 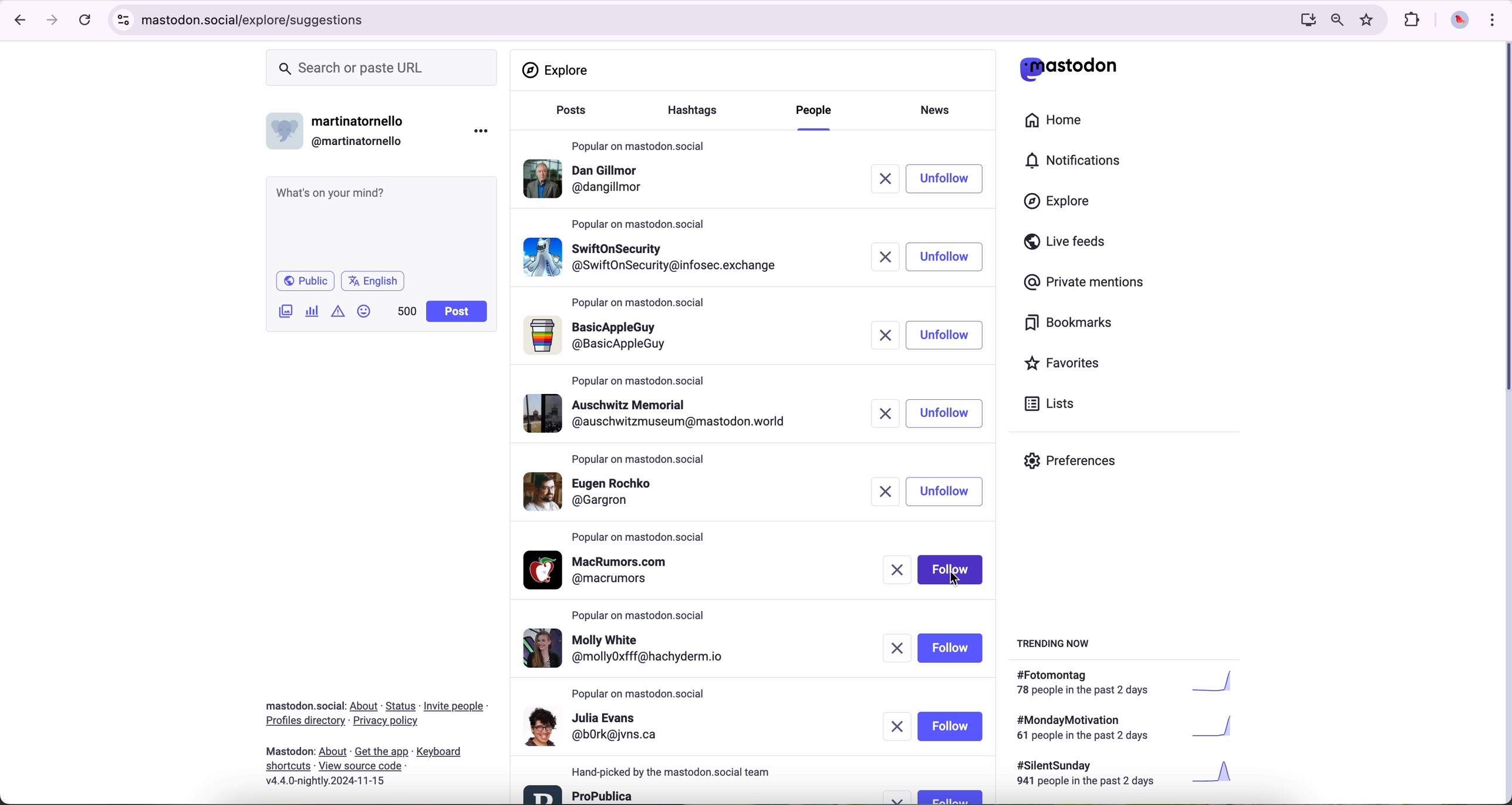 What do you see at coordinates (16, 19) in the screenshot?
I see `navigate back` at bounding box center [16, 19].